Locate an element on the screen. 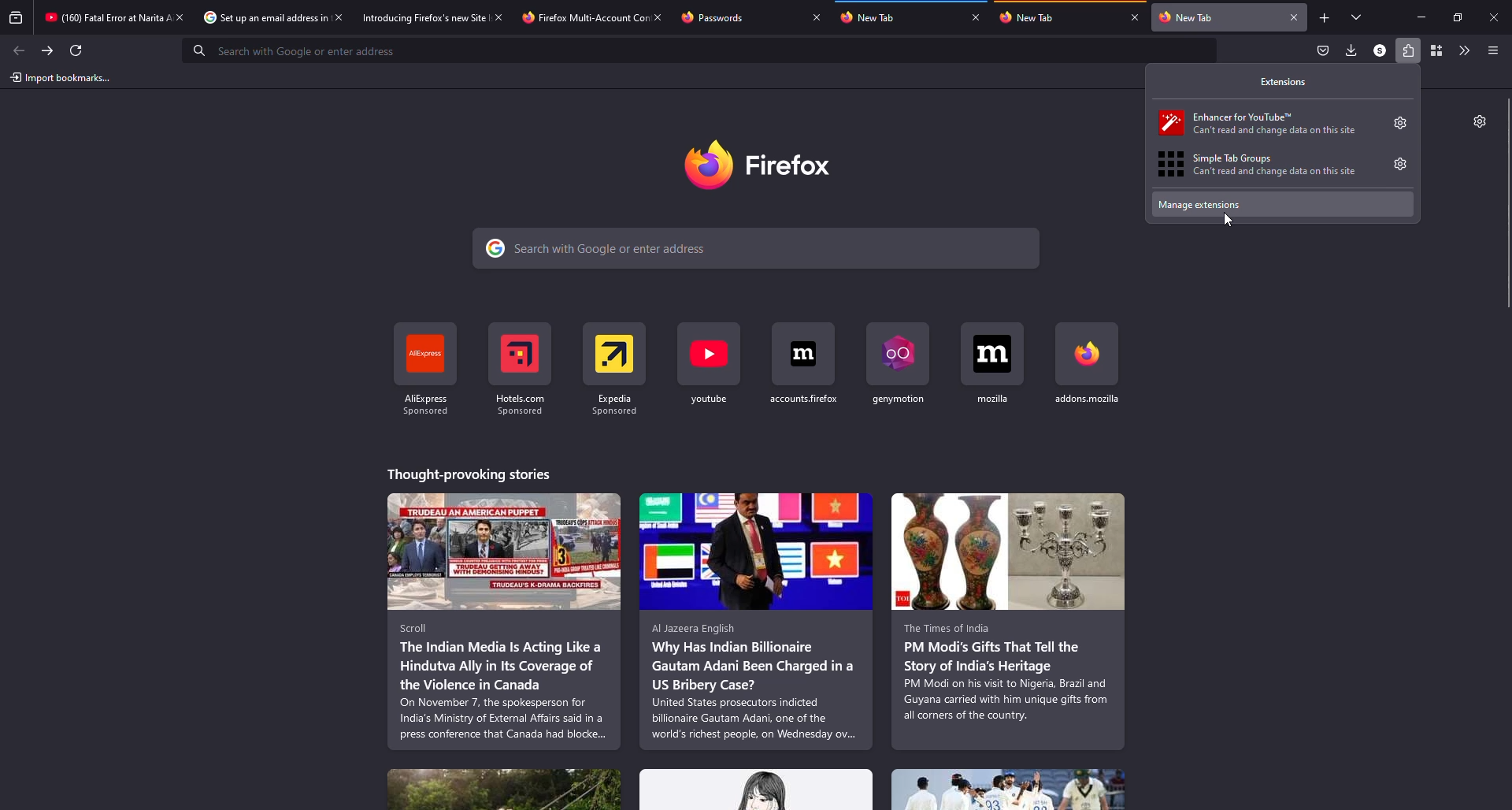  close is located at coordinates (817, 17).